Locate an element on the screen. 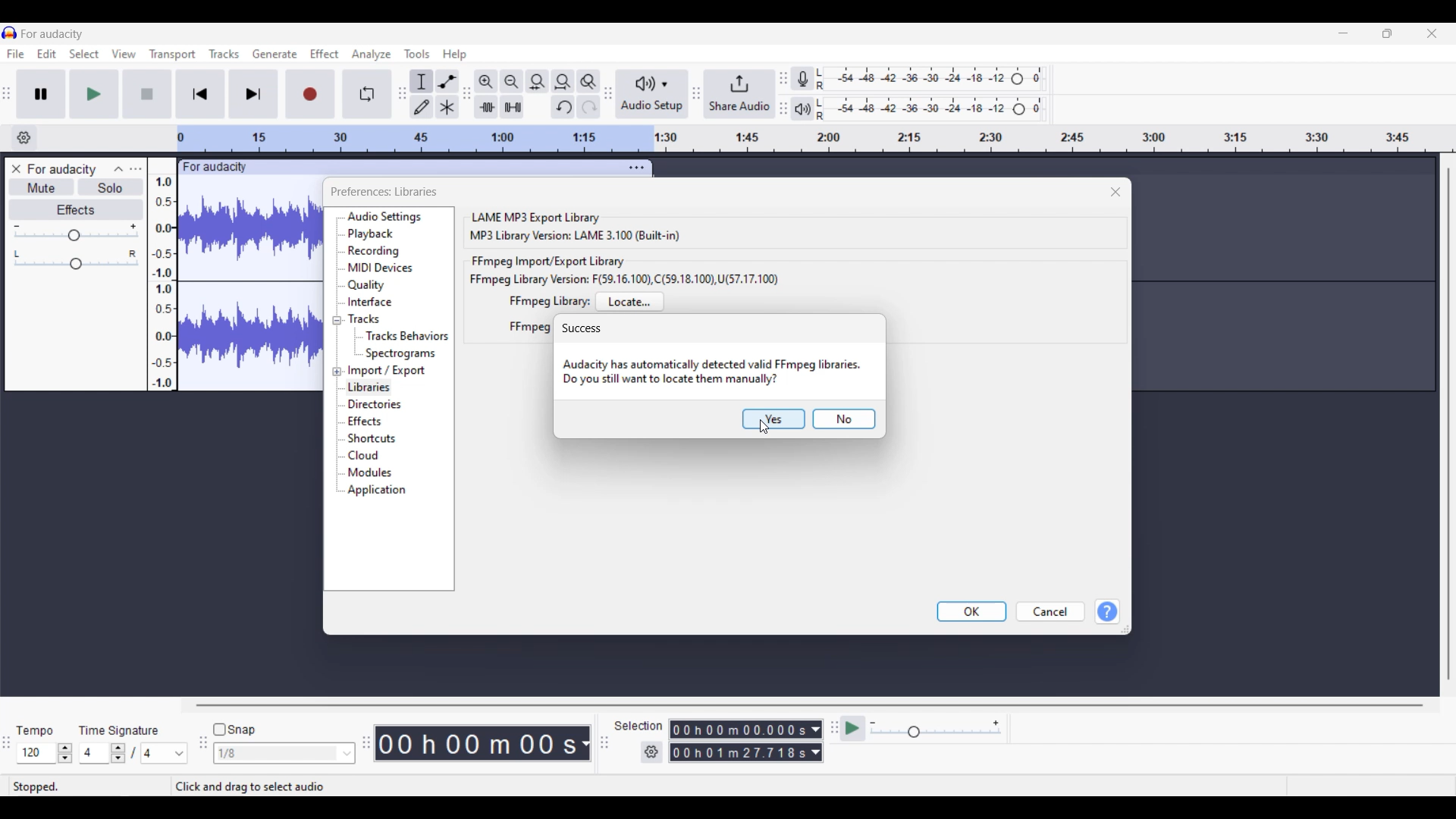 Image resolution: width=1456 pixels, height=819 pixels. Help is located at coordinates (1107, 612).